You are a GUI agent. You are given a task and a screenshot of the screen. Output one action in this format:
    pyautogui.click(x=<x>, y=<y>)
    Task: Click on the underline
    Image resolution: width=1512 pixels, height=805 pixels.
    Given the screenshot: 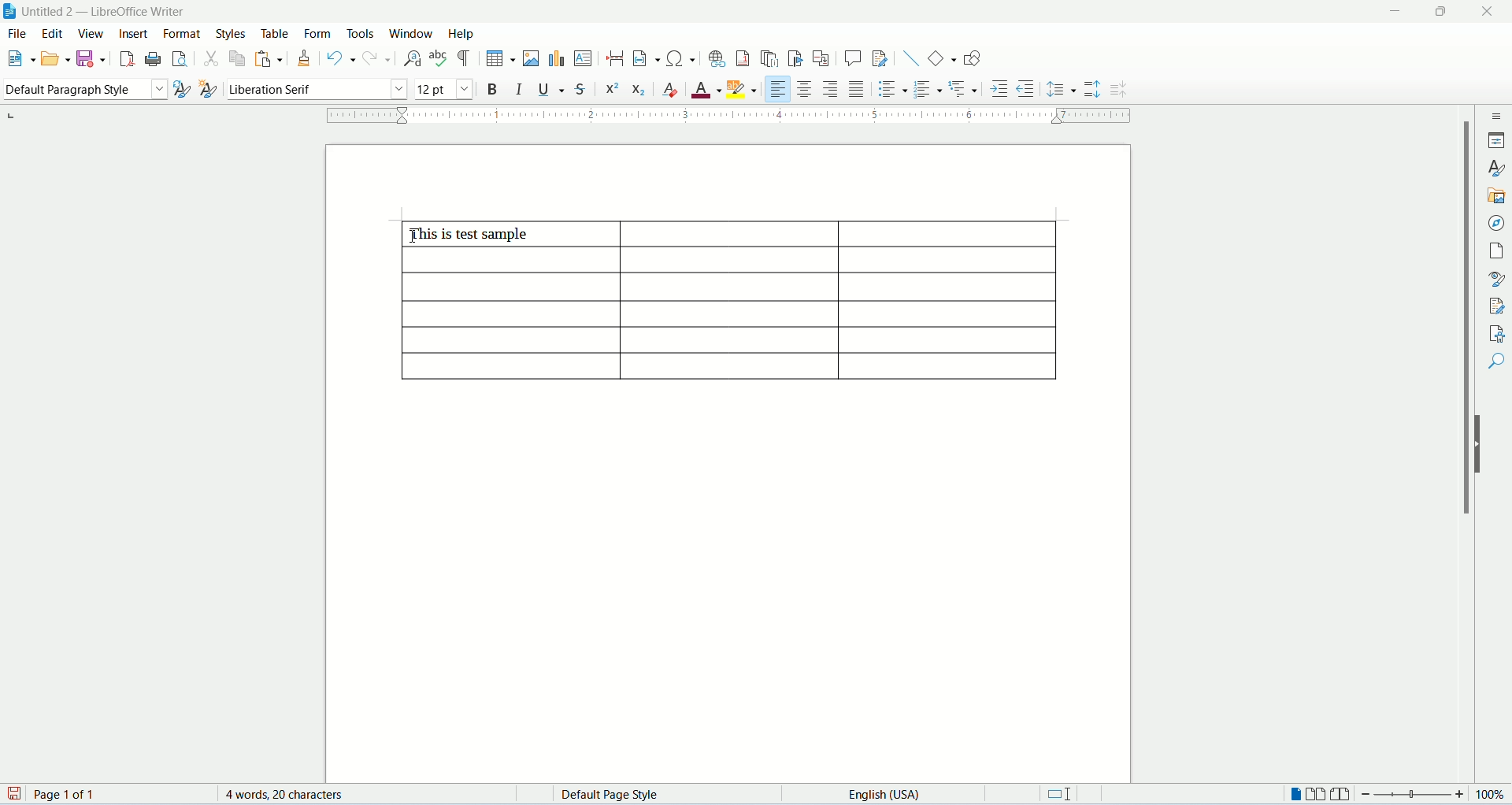 What is the action you would take?
    pyautogui.click(x=551, y=90)
    